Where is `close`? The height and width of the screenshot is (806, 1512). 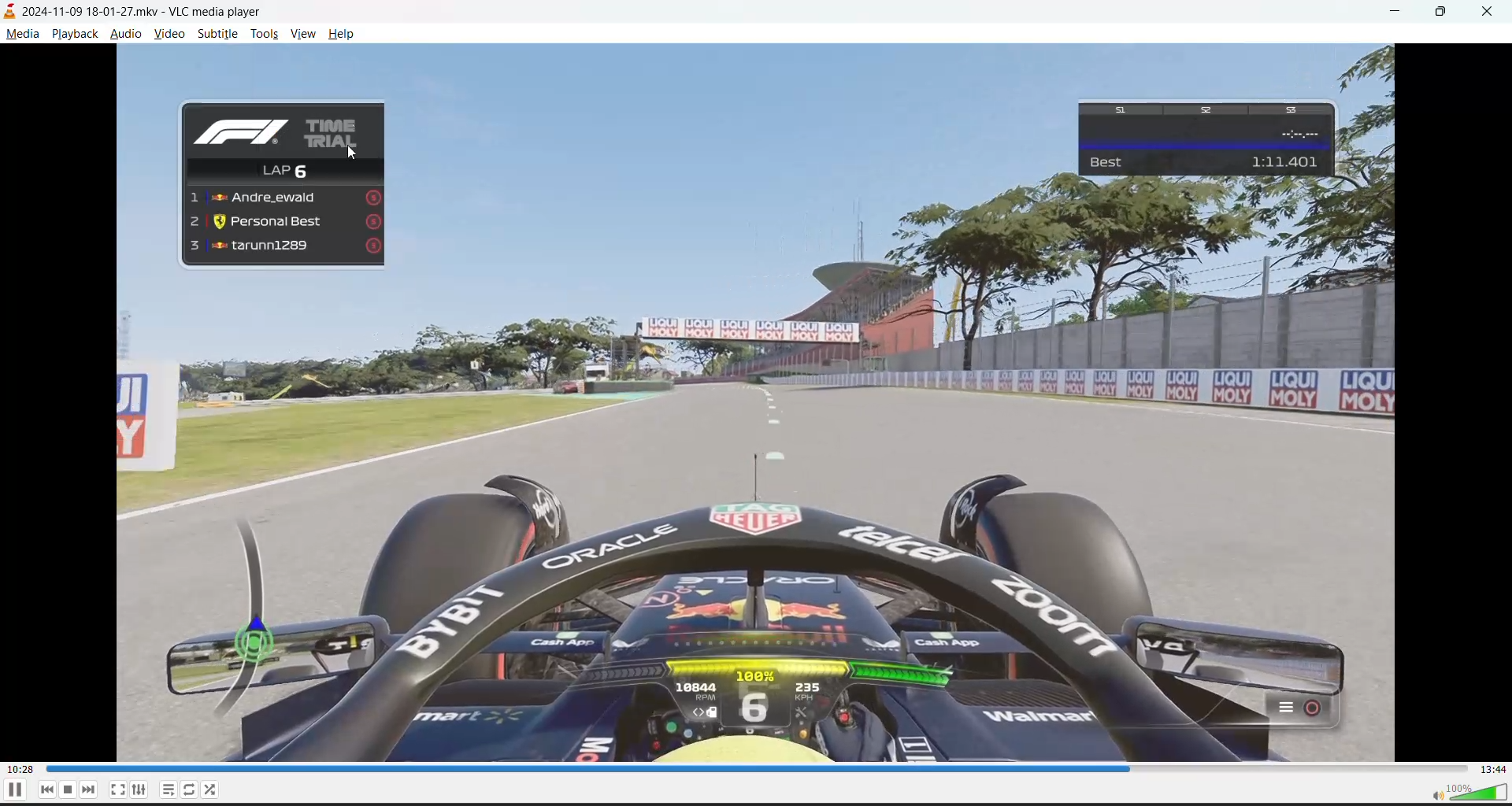 close is located at coordinates (1488, 14).